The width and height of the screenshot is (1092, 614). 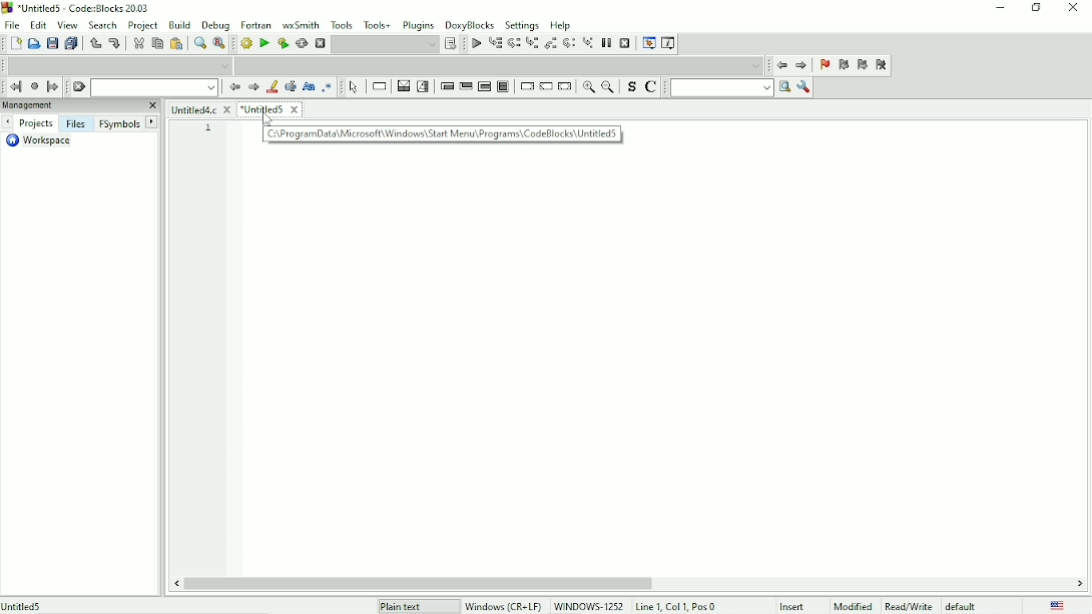 What do you see at coordinates (301, 44) in the screenshot?
I see `Rebuild` at bounding box center [301, 44].